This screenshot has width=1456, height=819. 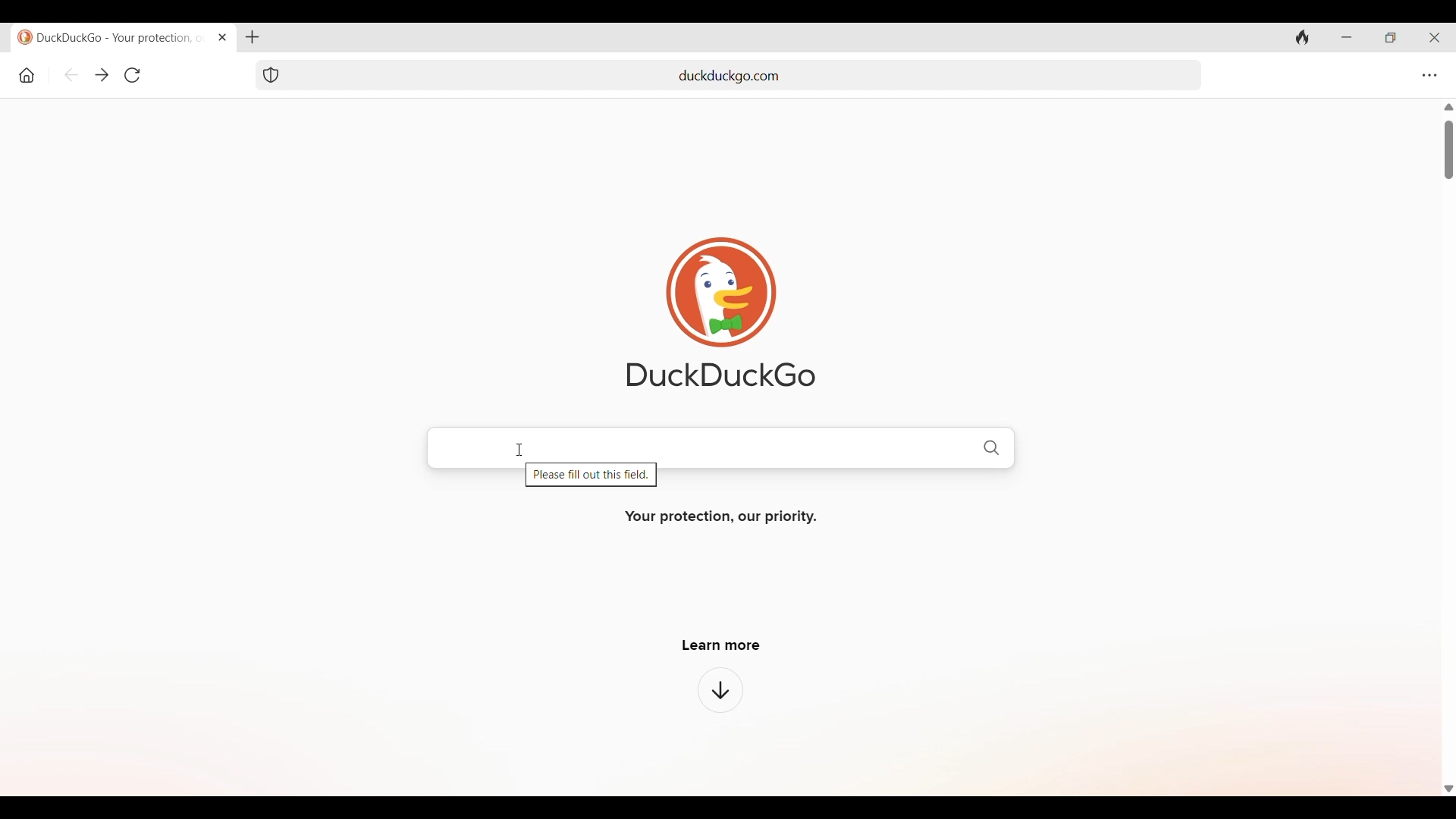 I want to click on Learn more, so click(x=720, y=646).